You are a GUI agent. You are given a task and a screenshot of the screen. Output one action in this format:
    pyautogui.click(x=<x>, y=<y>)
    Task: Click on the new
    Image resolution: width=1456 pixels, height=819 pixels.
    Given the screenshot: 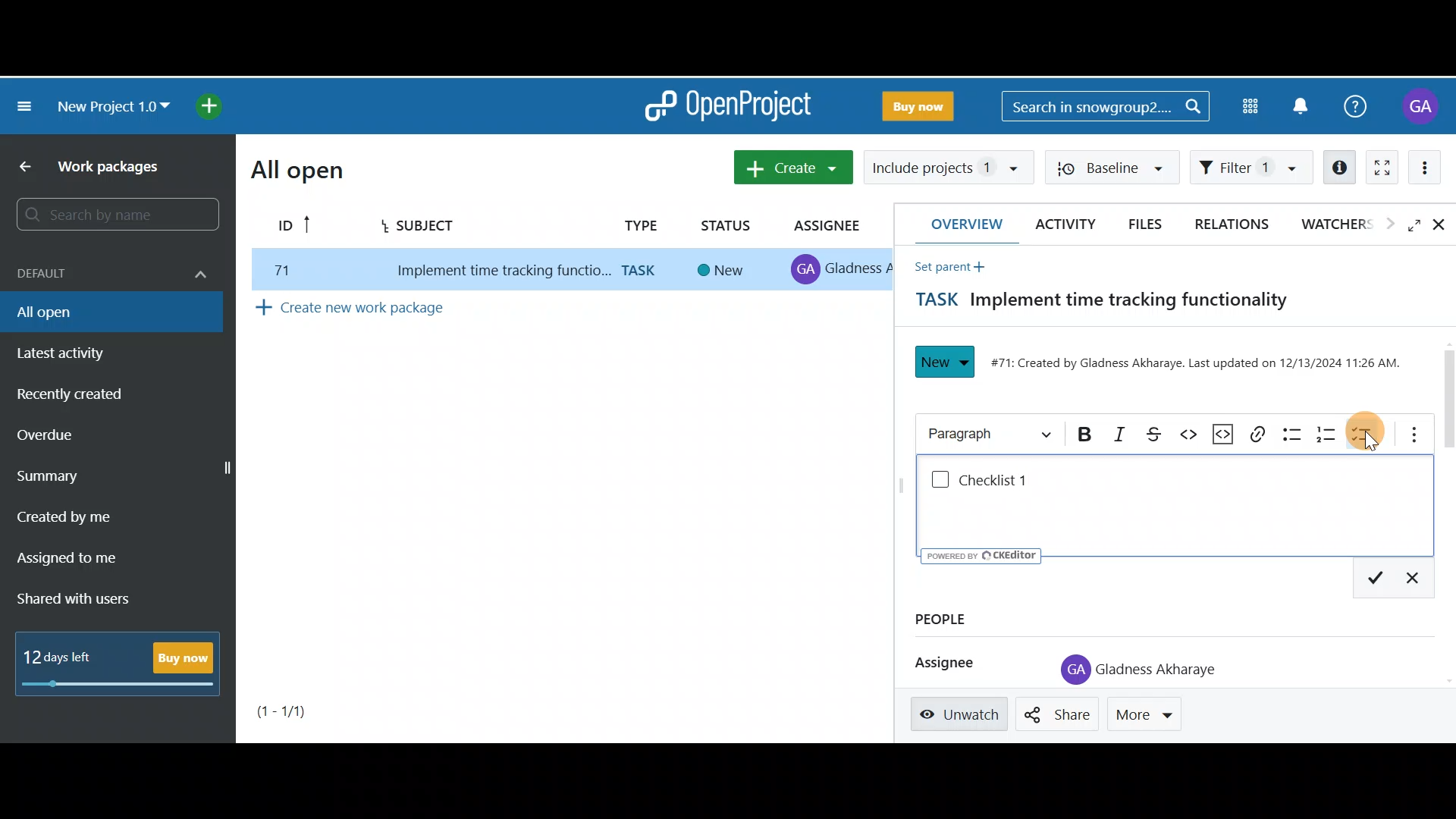 What is the action you would take?
    pyautogui.click(x=723, y=271)
    